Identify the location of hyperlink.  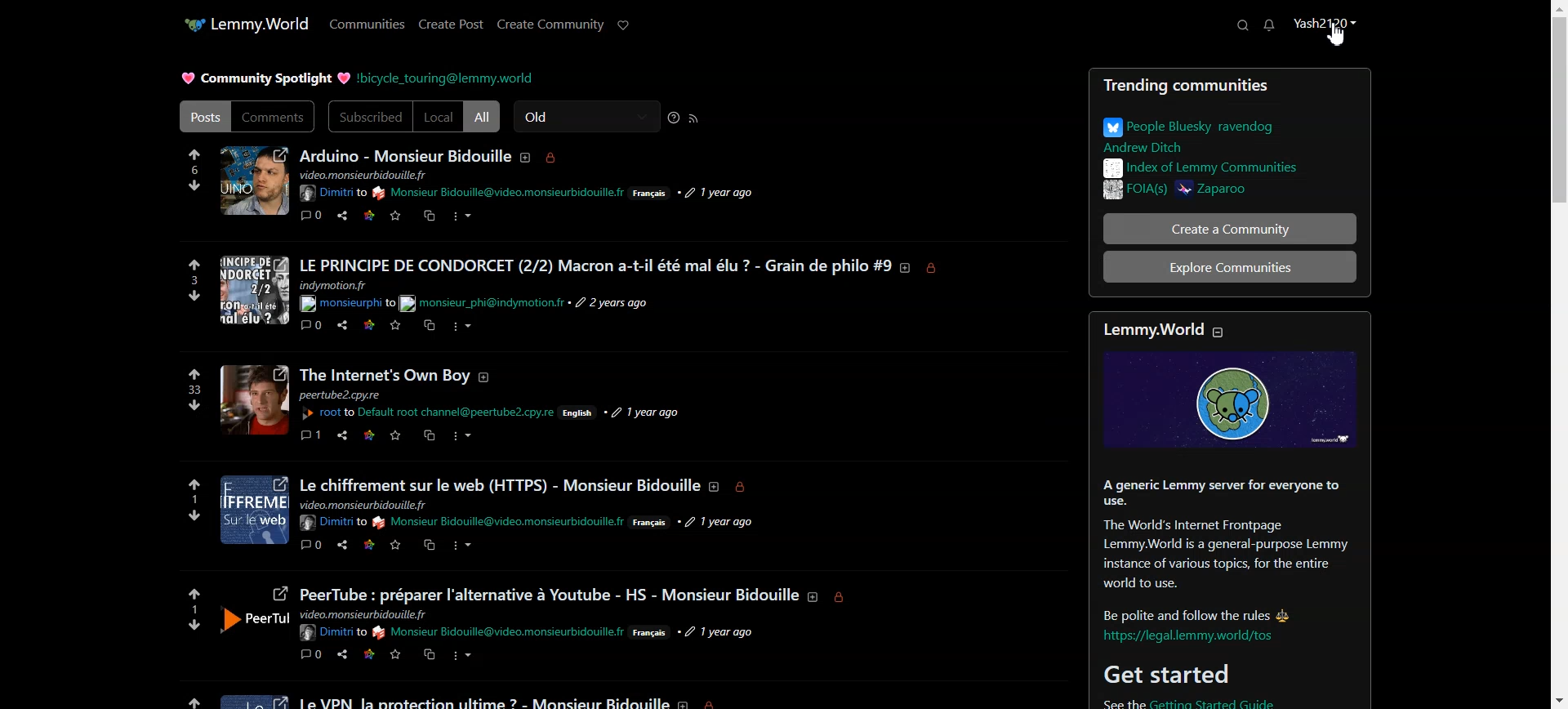
(499, 524).